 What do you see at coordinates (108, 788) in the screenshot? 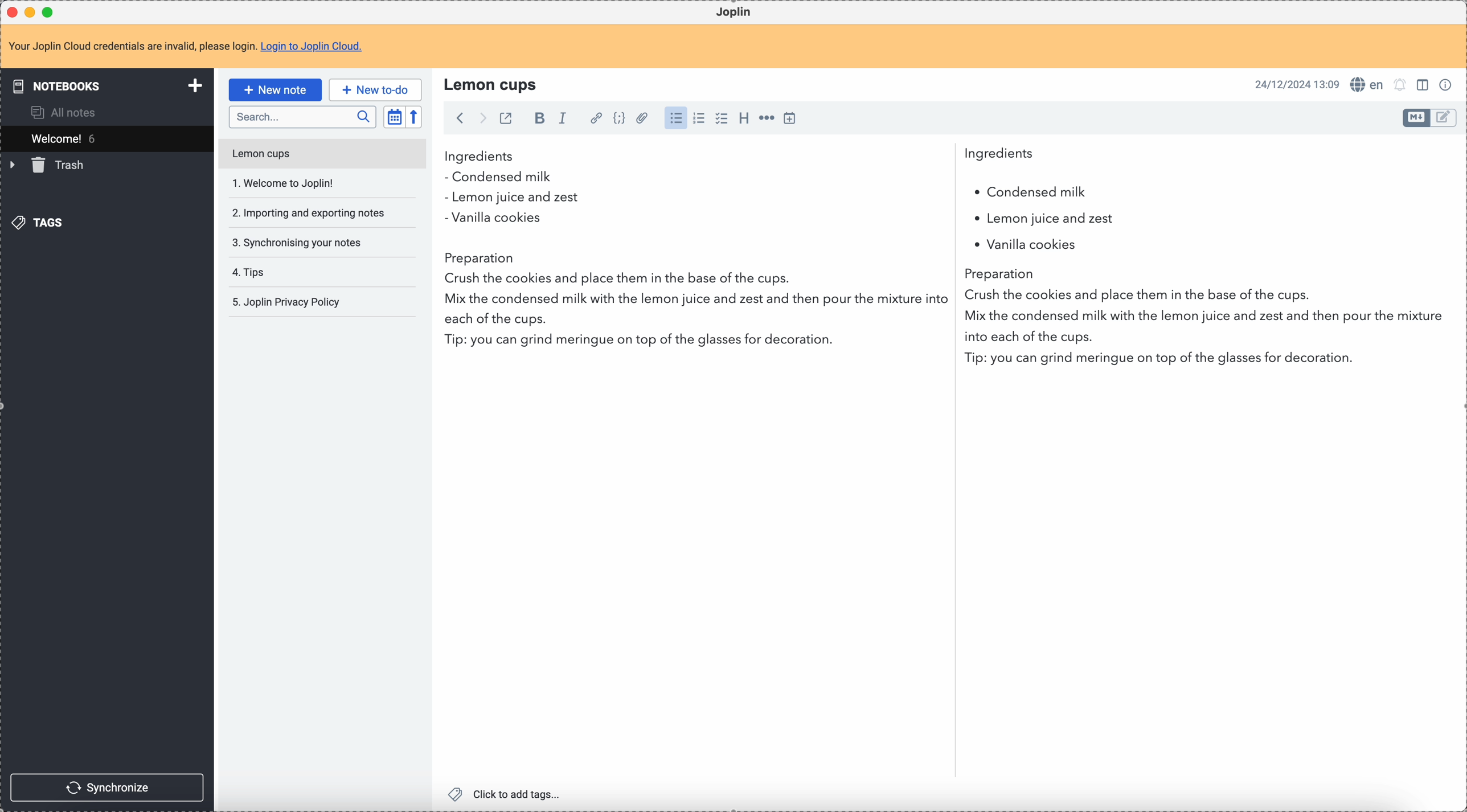
I see `synchronize` at bounding box center [108, 788].